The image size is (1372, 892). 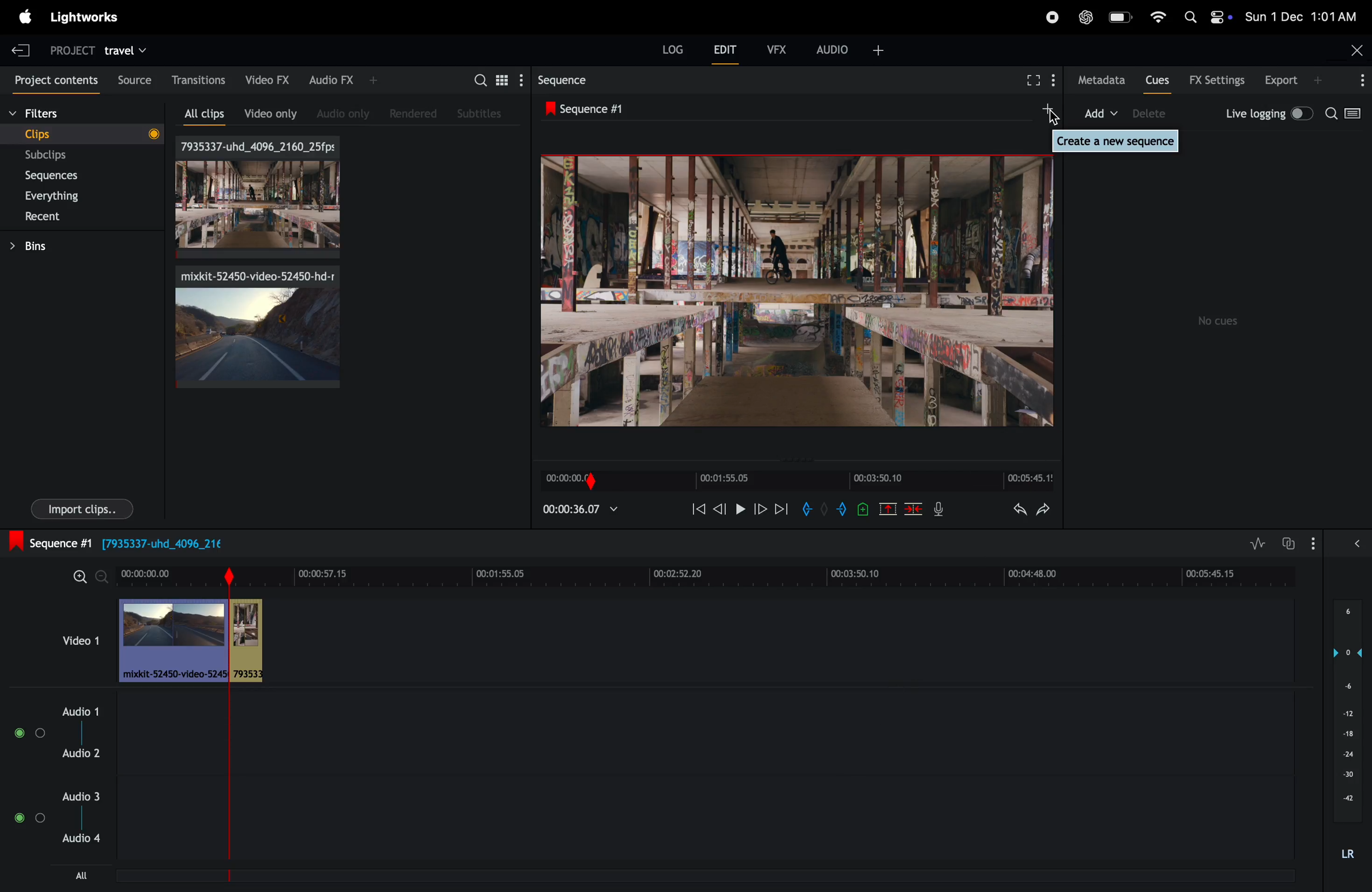 I want to click on clips, so click(x=256, y=197).